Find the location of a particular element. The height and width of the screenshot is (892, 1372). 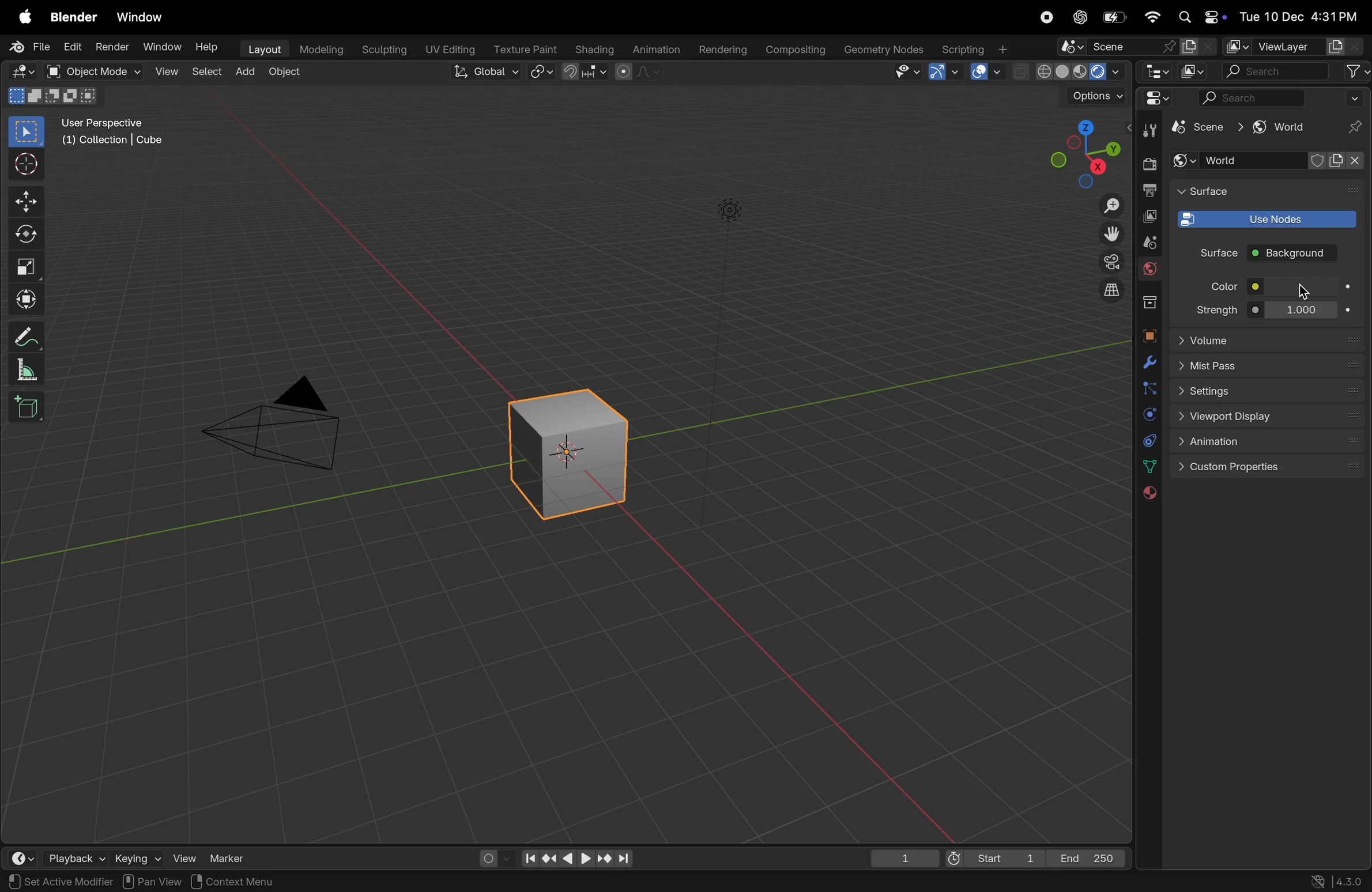

transform is located at coordinates (29, 297).